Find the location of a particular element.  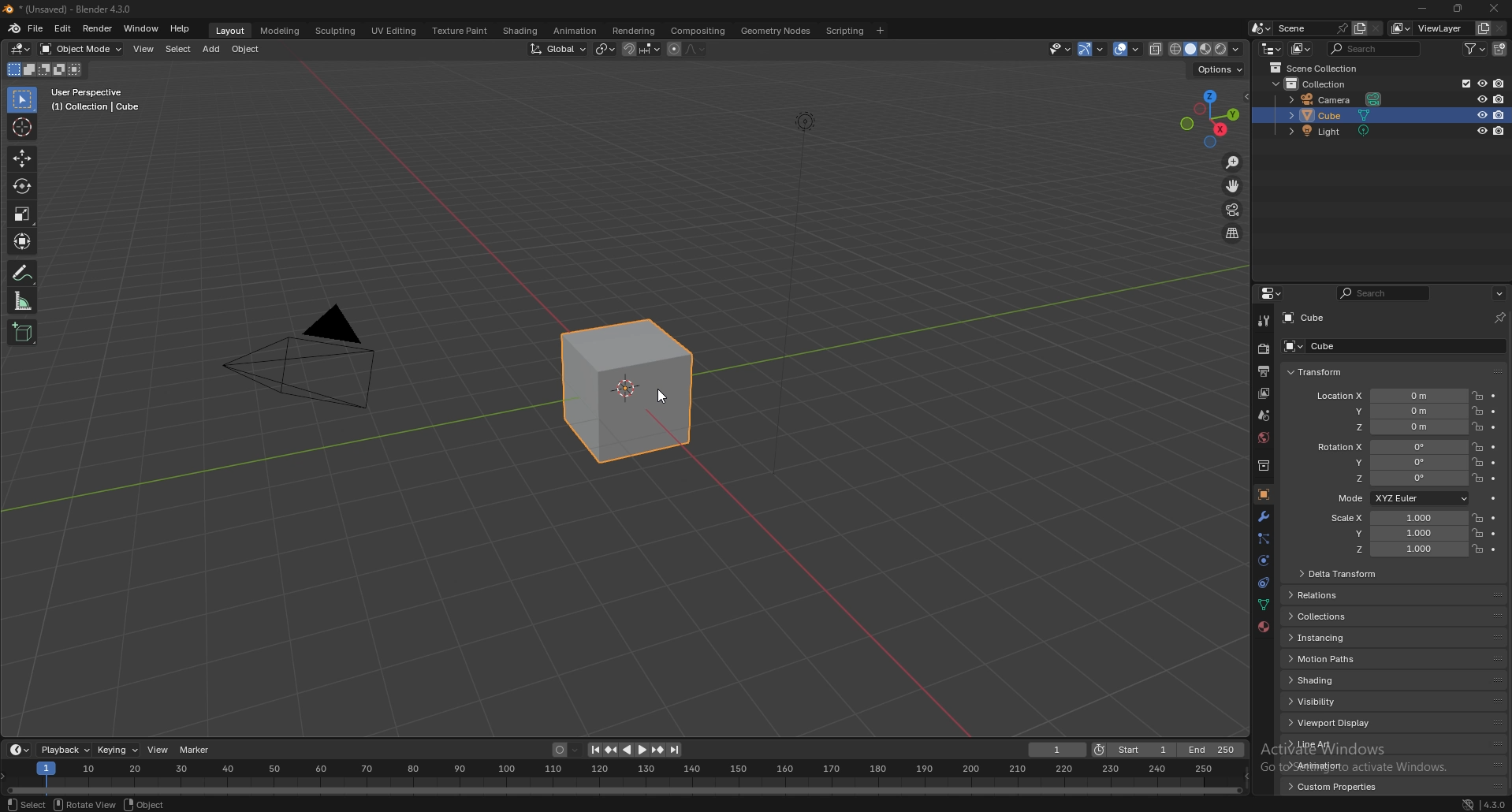

play is located at coordinates (635, 750).